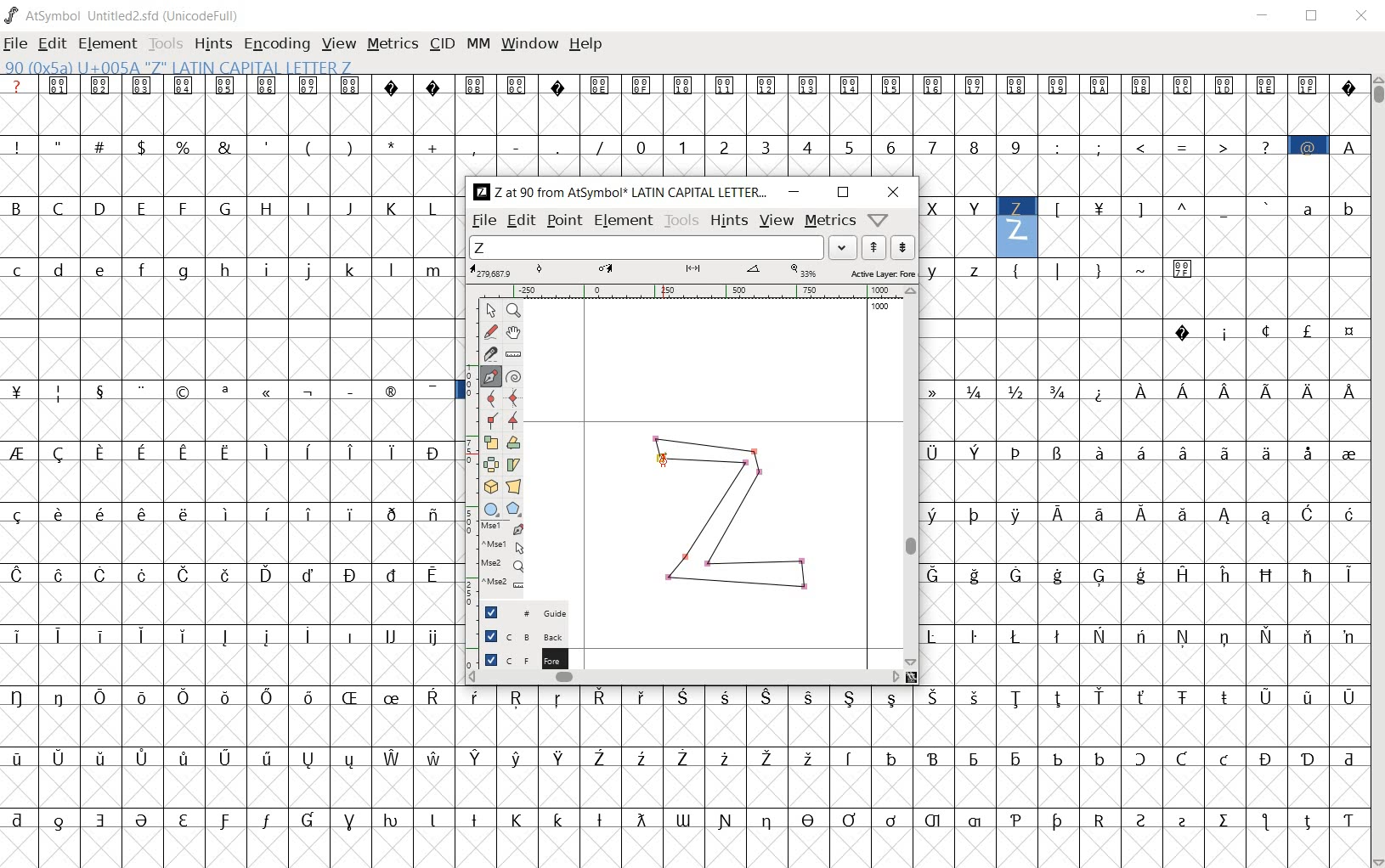 This screenshot has width=1385, height=868. What do you see at coordinates (902, 247) in the screenshot?
I see `show the previous word on the list` at bounding box center [902, 247].